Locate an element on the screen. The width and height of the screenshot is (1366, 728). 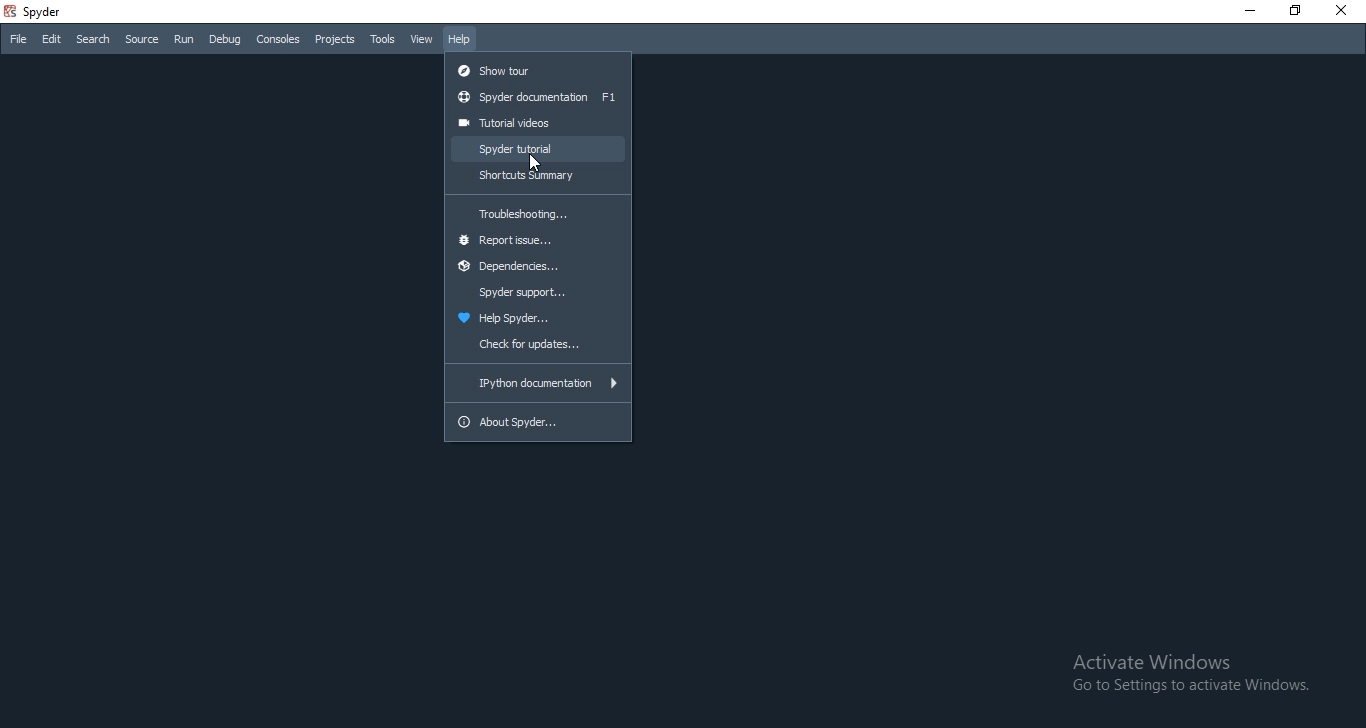
Restore is located at coordinates (1298, 12).